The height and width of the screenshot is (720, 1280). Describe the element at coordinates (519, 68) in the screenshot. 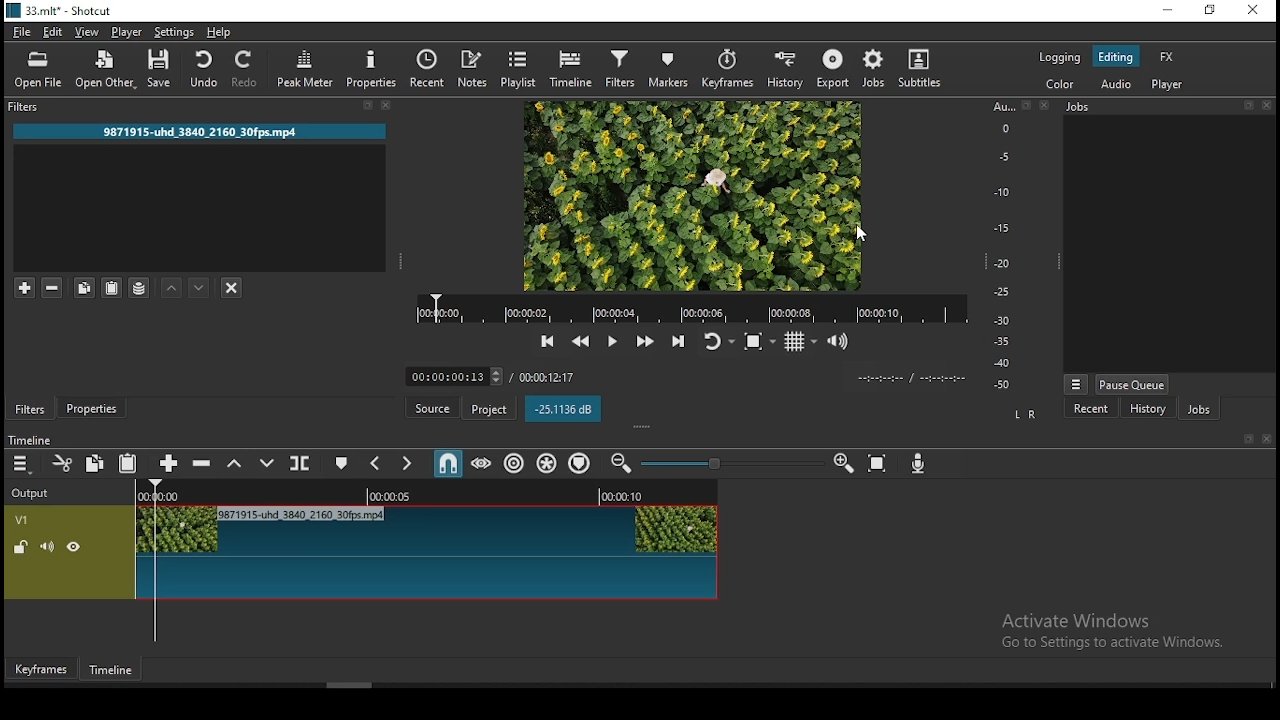

I see `playlist` at that location.